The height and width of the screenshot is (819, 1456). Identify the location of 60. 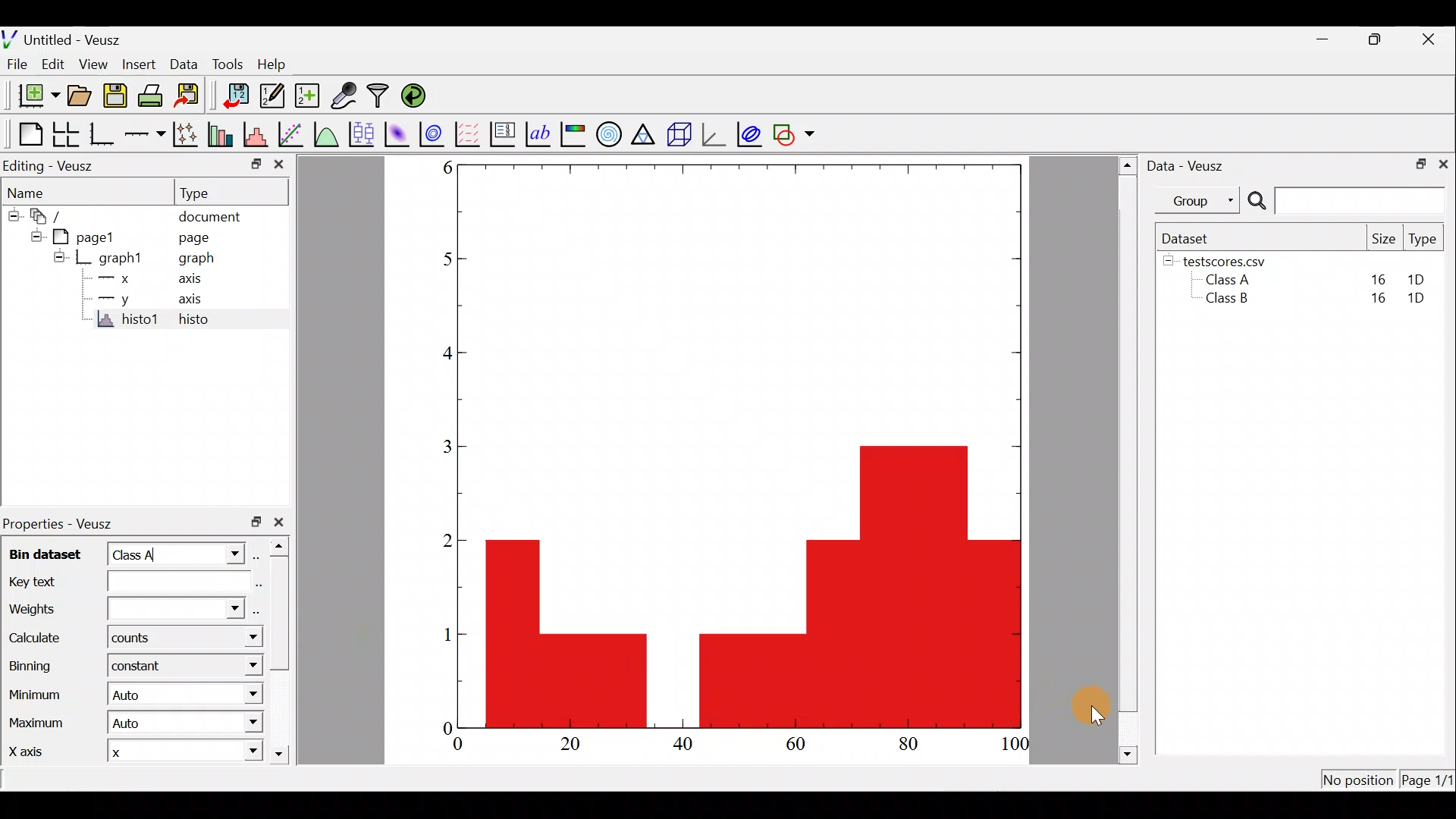
(799, 746).